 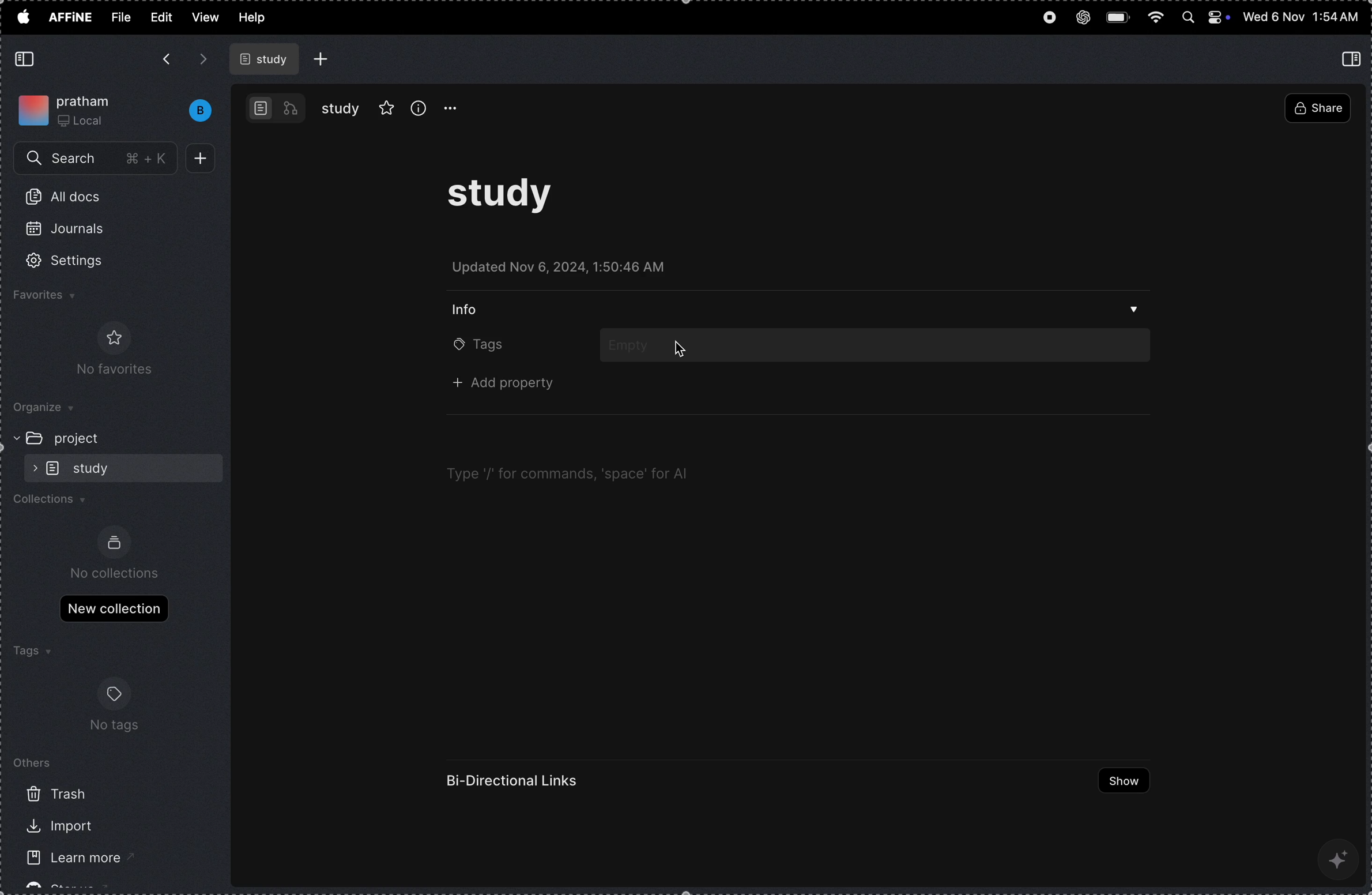 I want to click on favourites, so click(x=387, y=106).